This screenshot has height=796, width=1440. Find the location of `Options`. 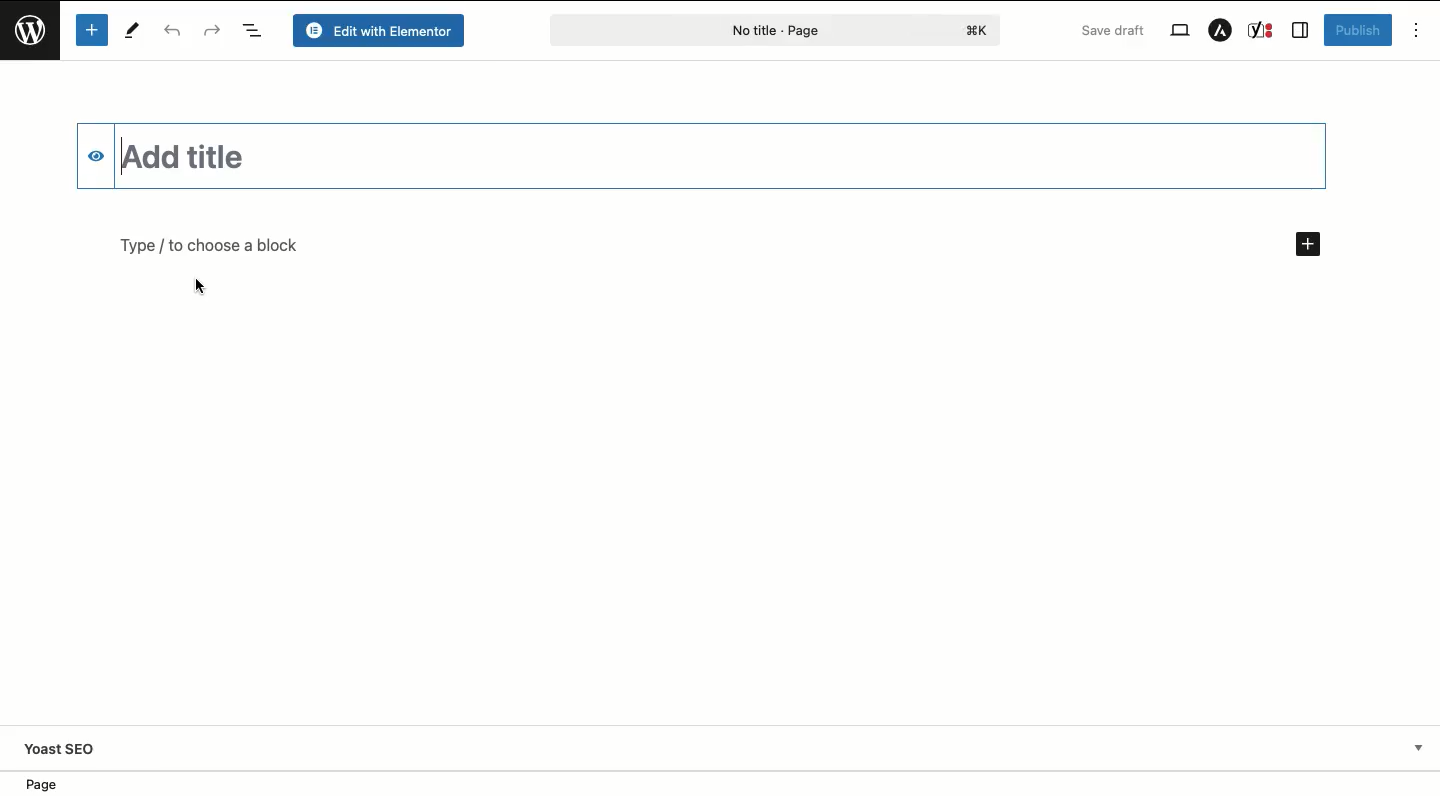

Options is located at coordinates (1417, 30).